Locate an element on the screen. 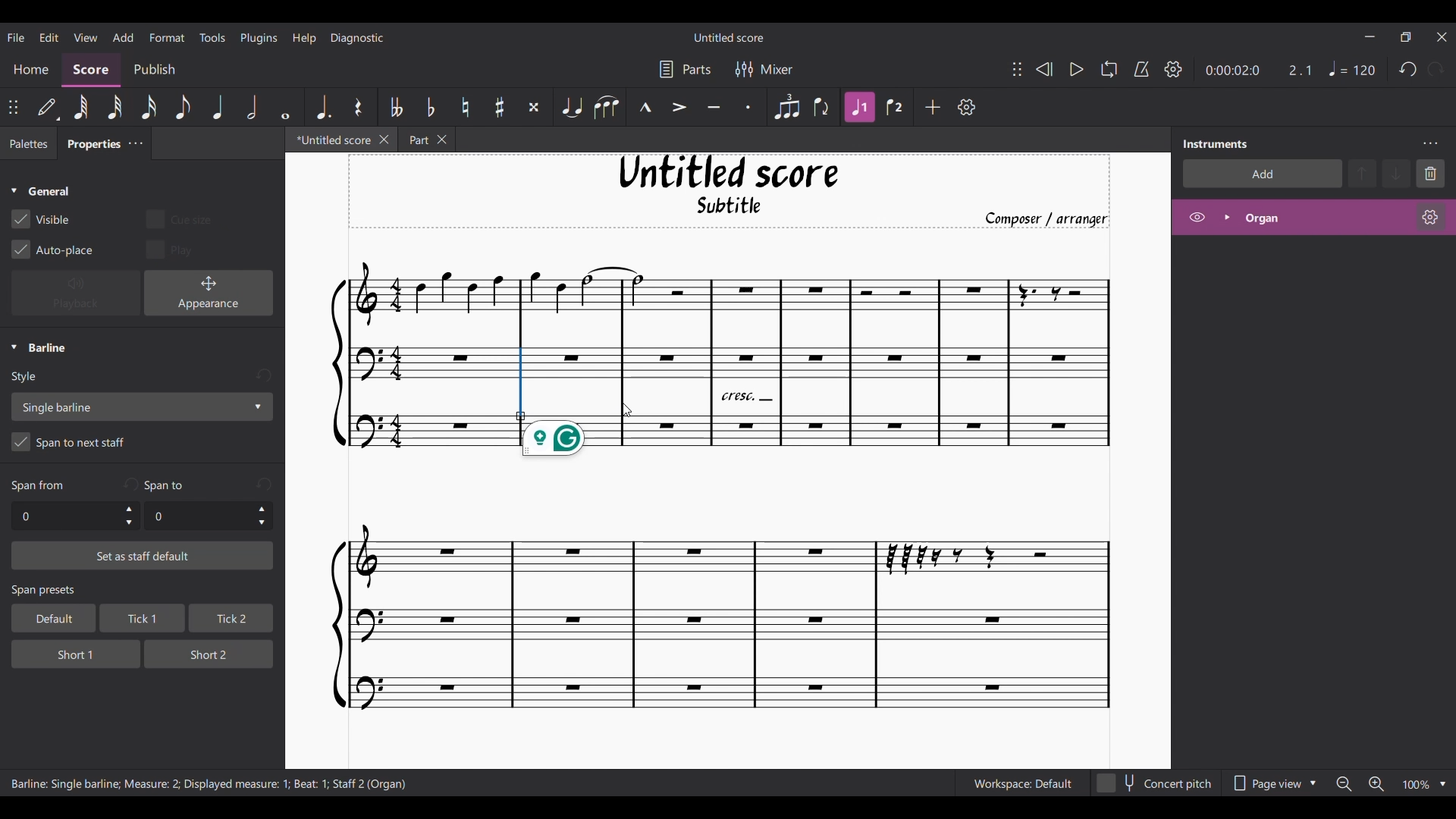  Parts settings is located at coordinates (686, 69).